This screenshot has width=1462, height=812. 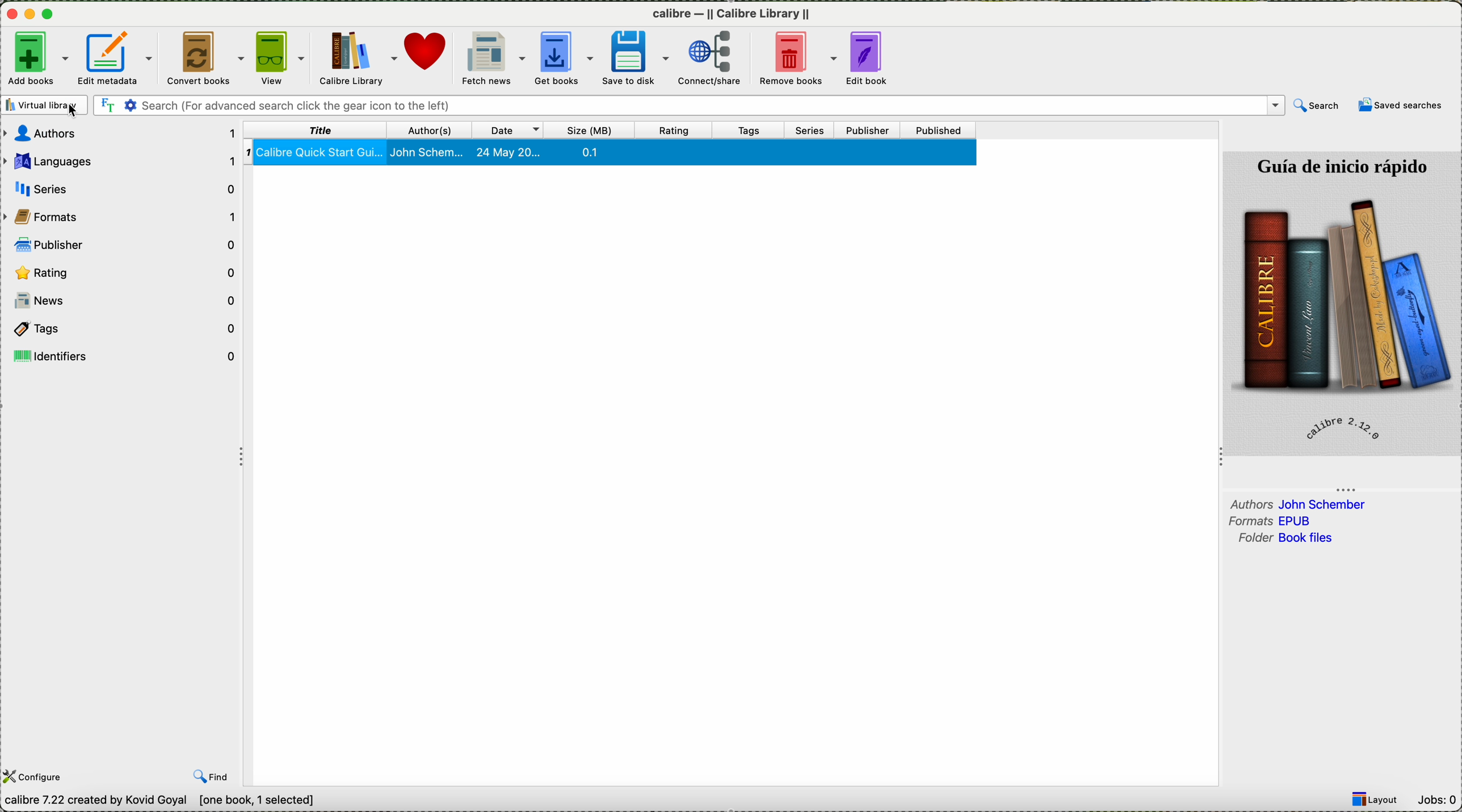 I want to click on authors , so click(x=1299, y=503).